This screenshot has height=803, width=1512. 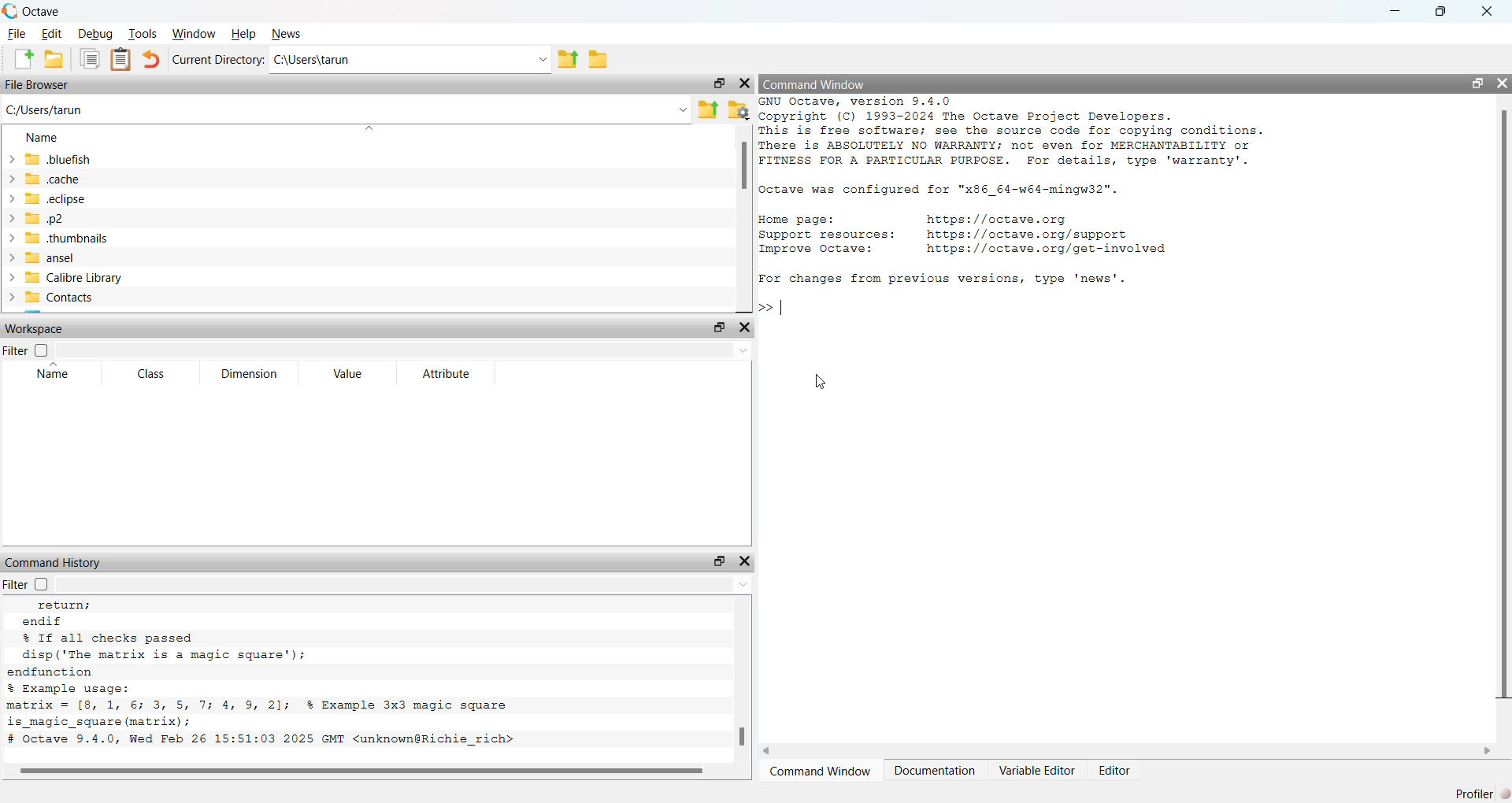 What do you see at coordinates (37, 84) in the screenshot?
I see `File Browser` at bounding box center [37, 84].